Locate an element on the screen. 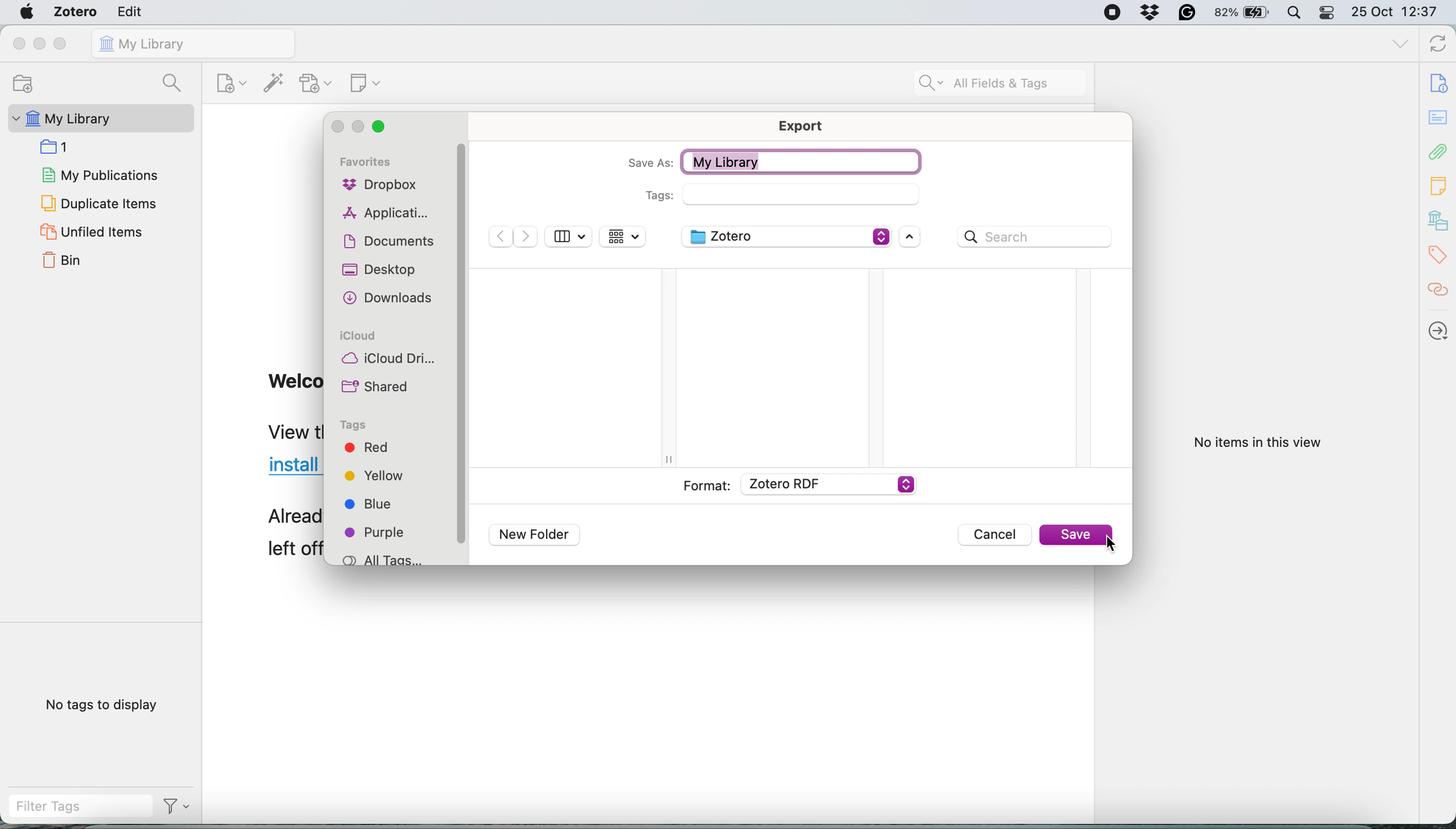 This screenshot has height=829, width=1456. my library is located at coordinates (63, 119).